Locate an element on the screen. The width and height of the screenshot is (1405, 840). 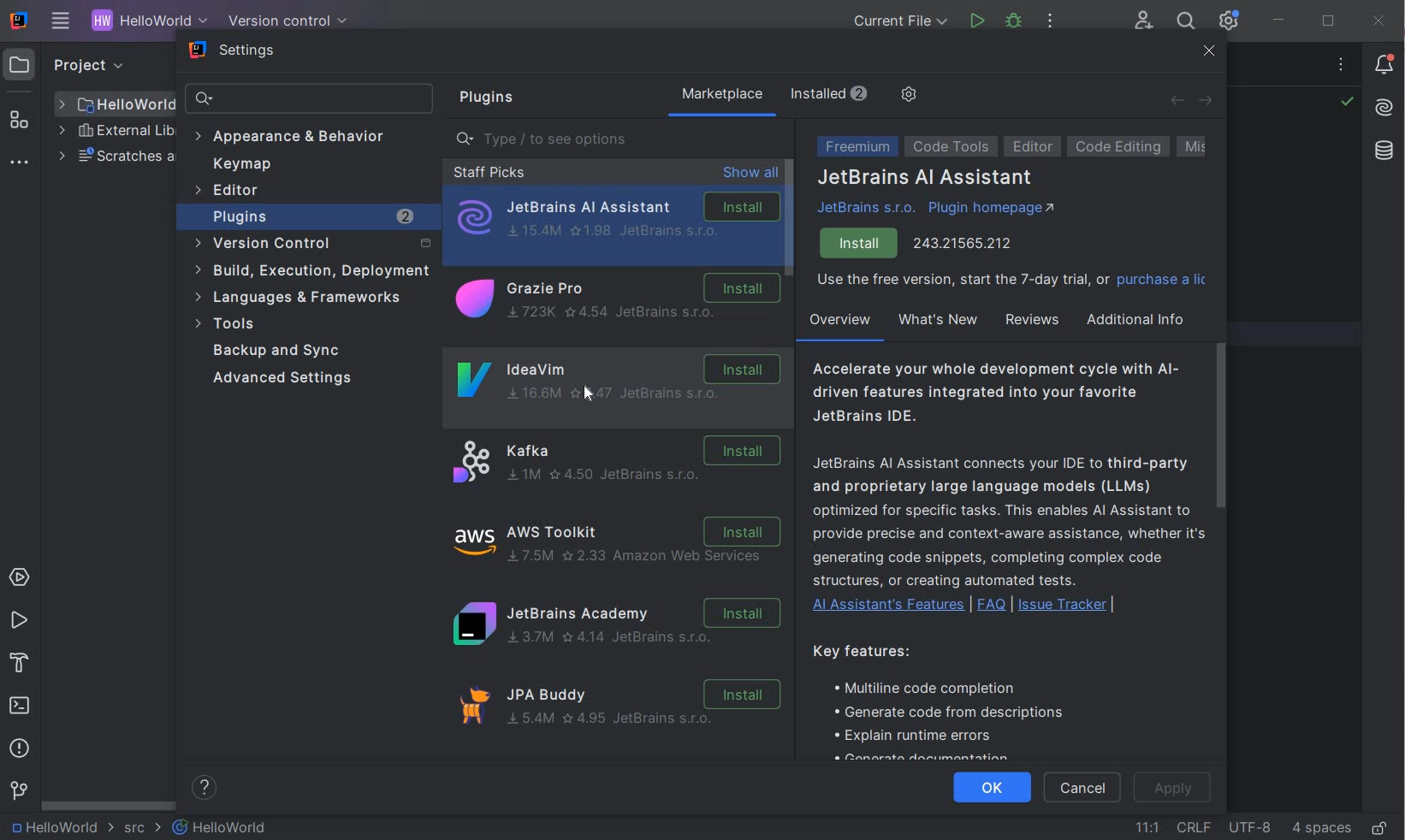
plugins is located at coordinates (315, 216).